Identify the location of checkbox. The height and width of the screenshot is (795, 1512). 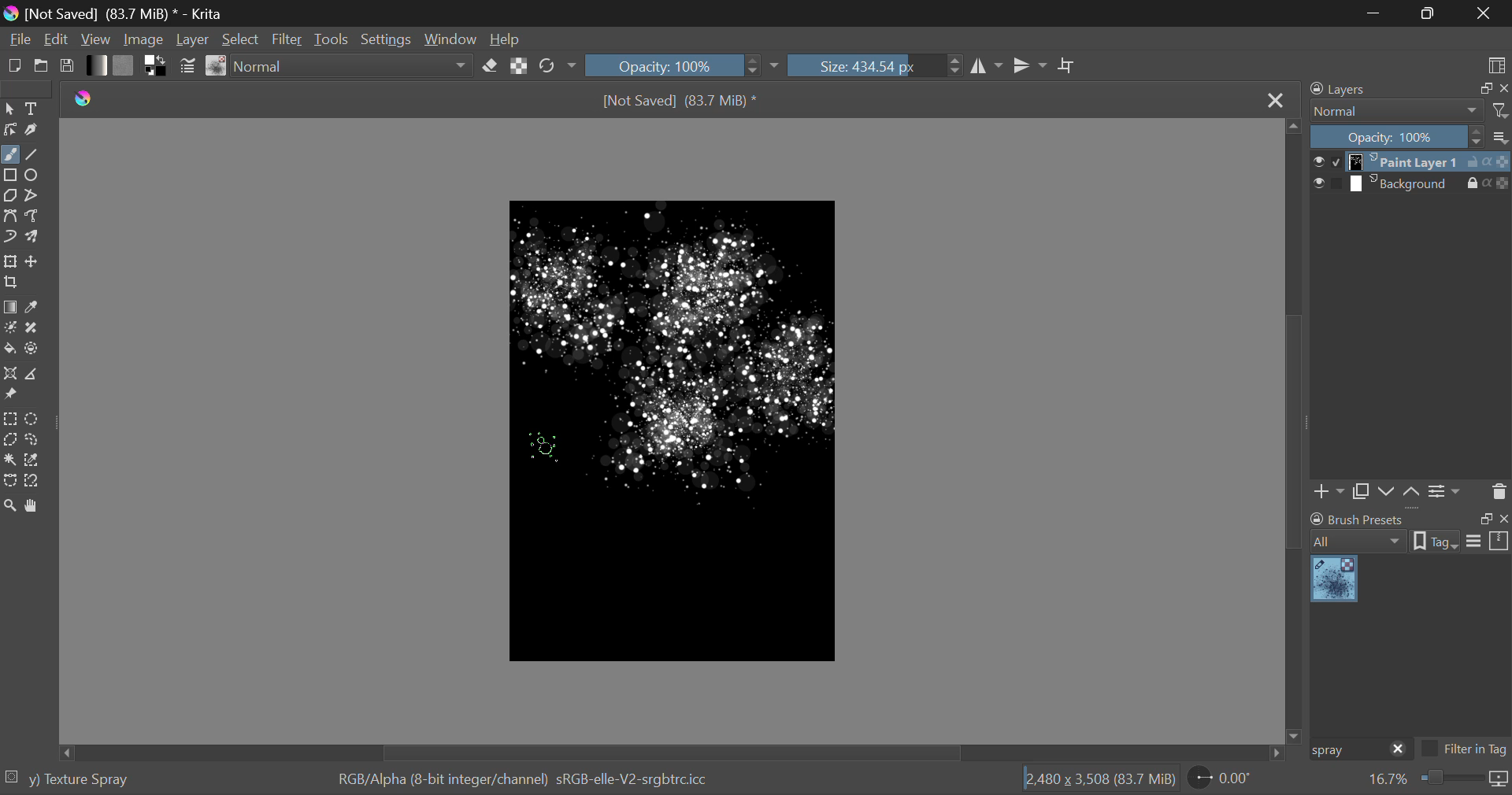
(1327, 184).